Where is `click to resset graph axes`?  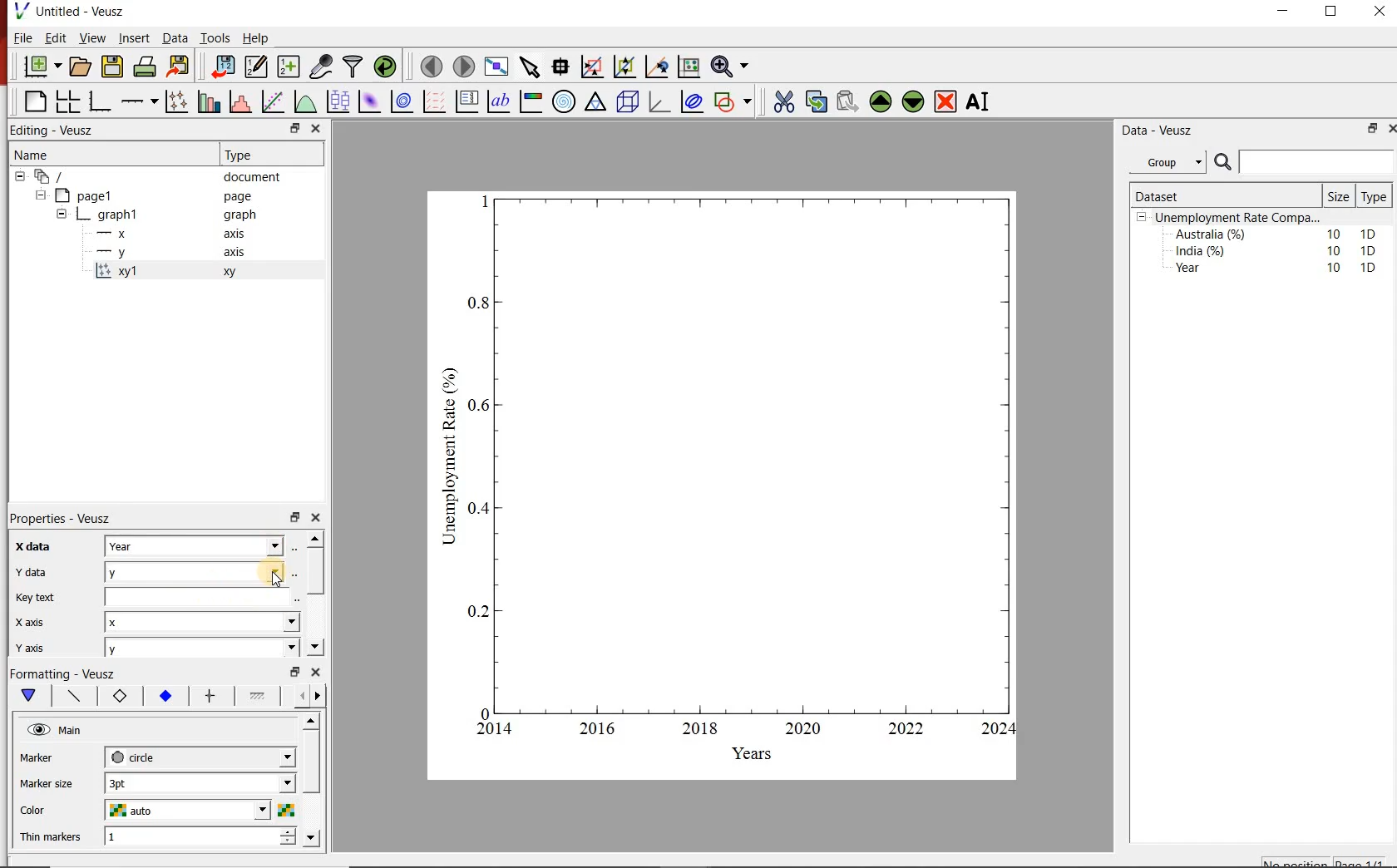
click to resset graph axes is located at coordinates (689, 65).